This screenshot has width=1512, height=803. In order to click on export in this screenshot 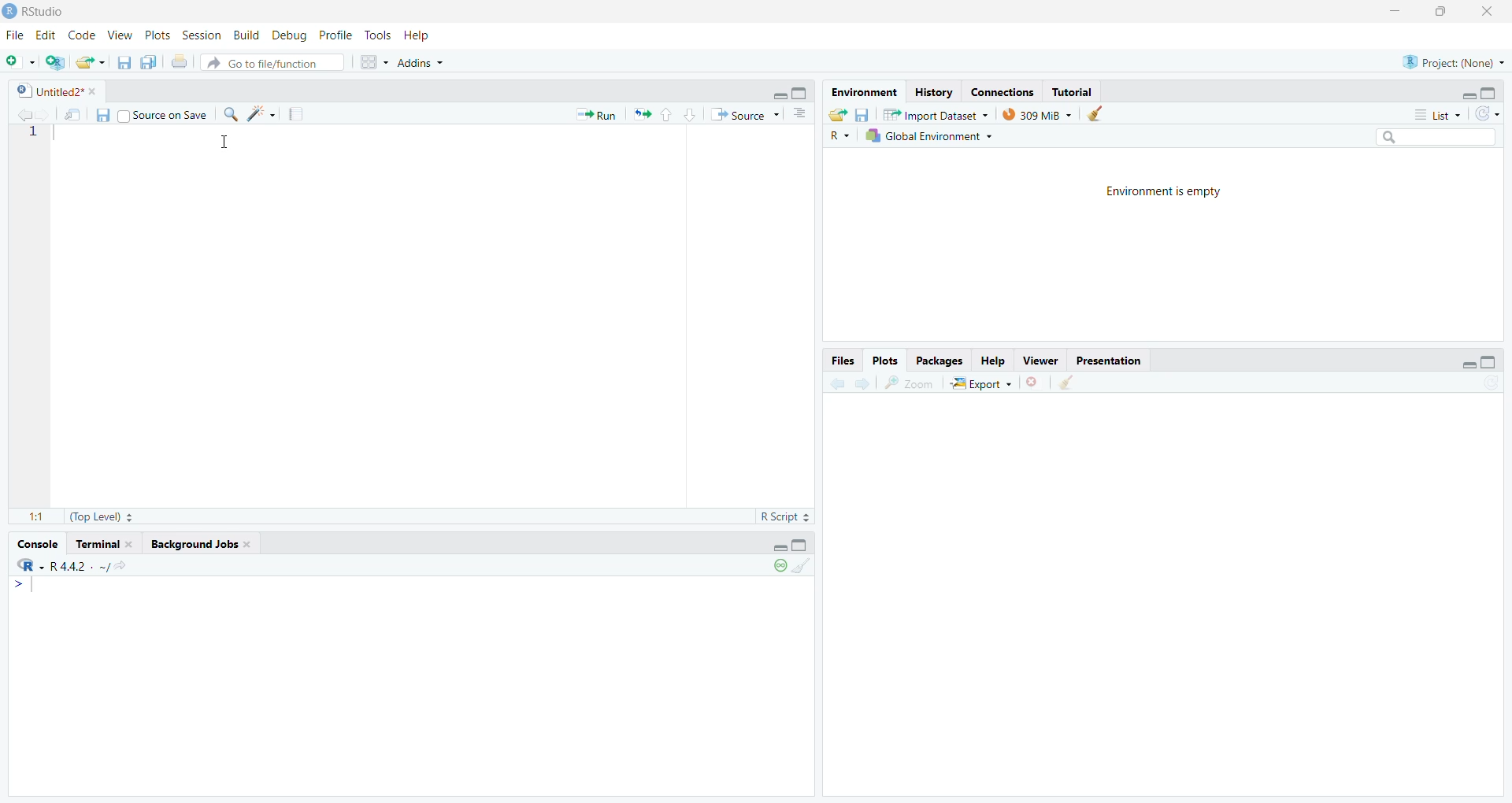, I will do `click(836, 115)`.